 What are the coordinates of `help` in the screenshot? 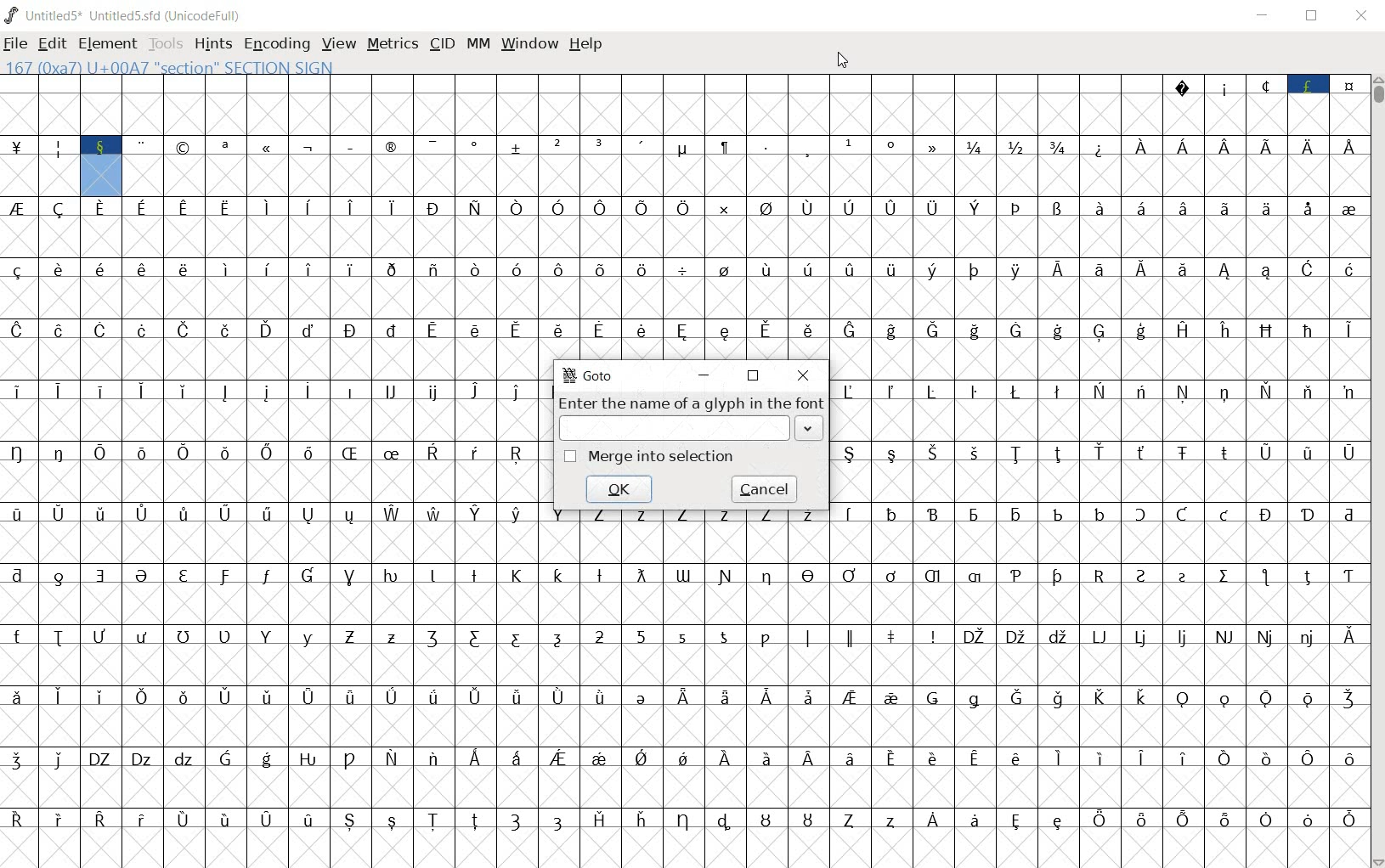 It's located at (586, 45).